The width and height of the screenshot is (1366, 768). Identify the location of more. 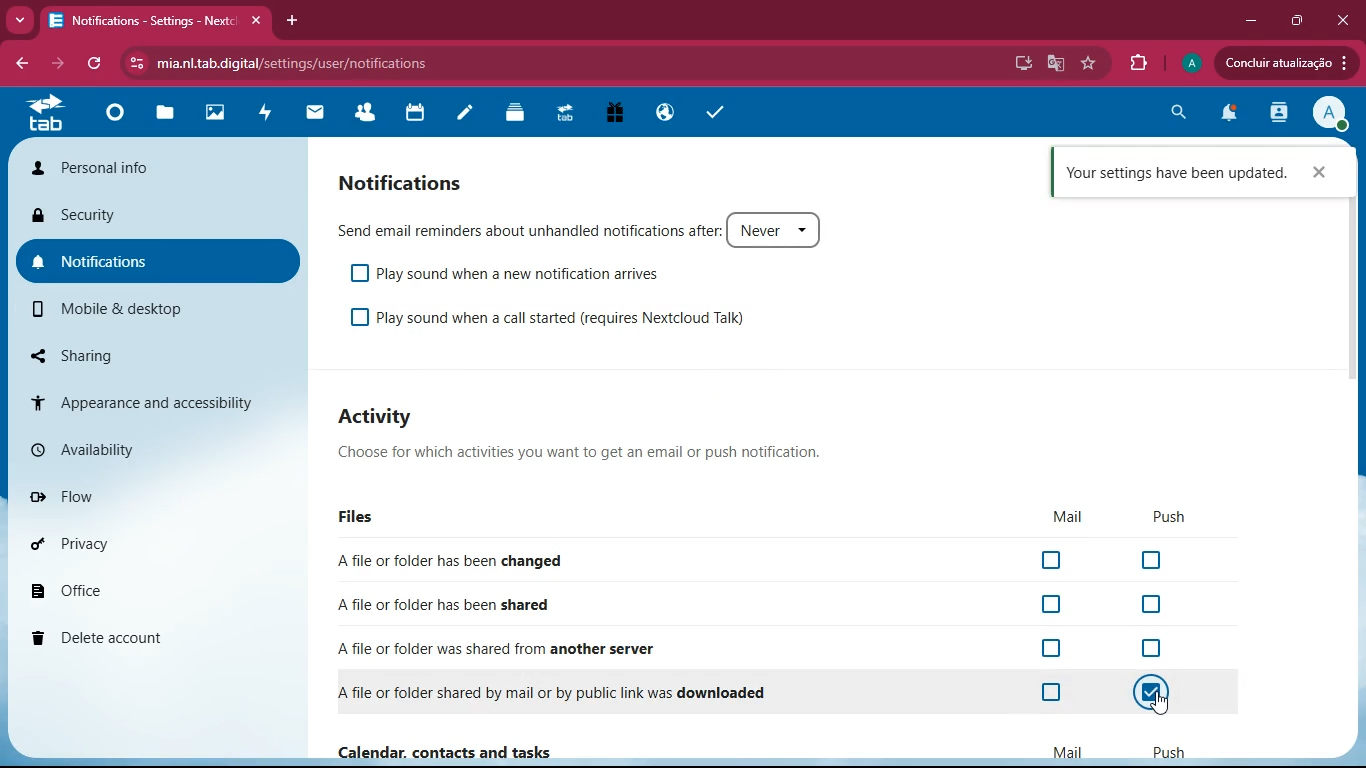
(18, 20).